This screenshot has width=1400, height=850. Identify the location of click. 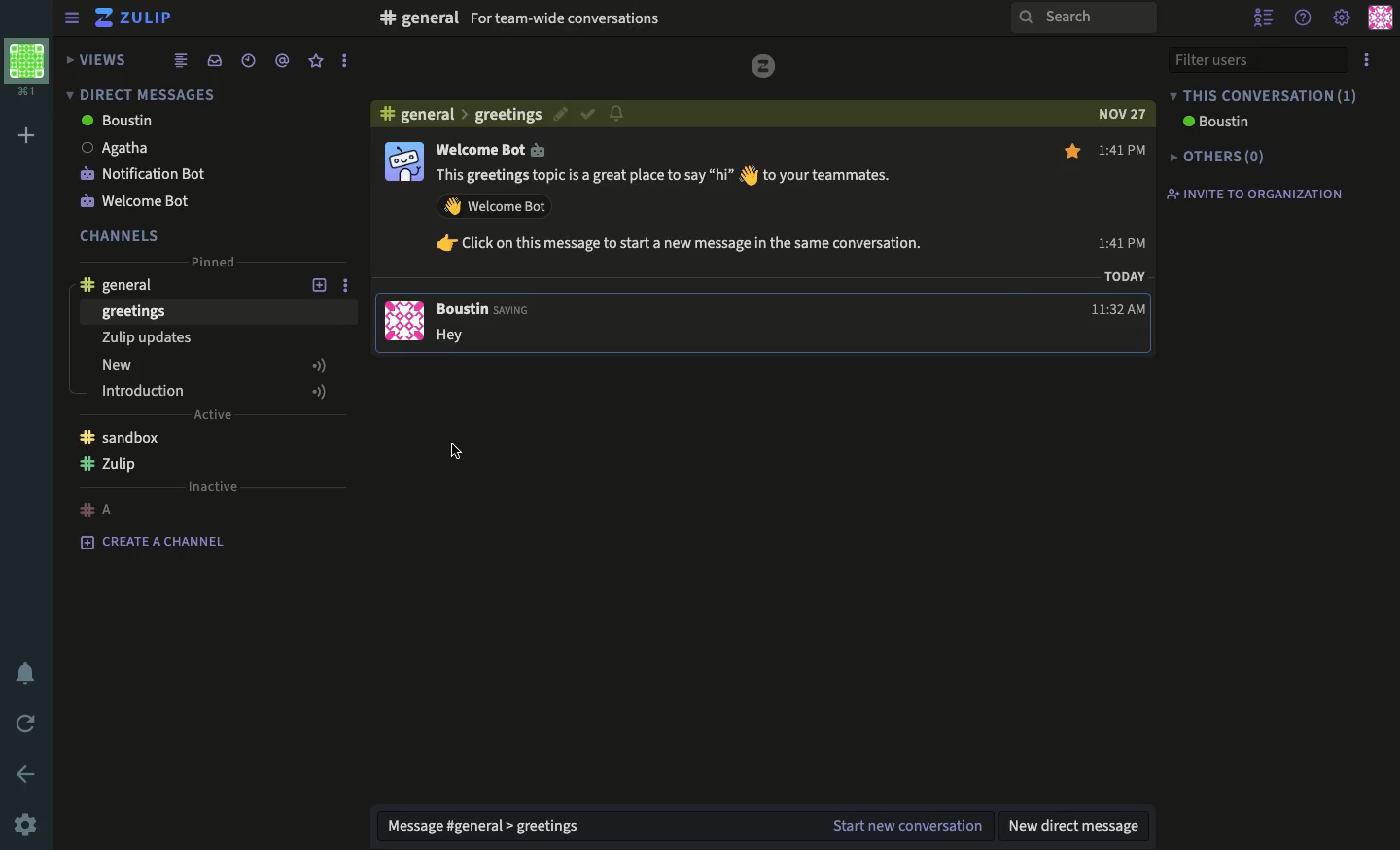
(461, 451).